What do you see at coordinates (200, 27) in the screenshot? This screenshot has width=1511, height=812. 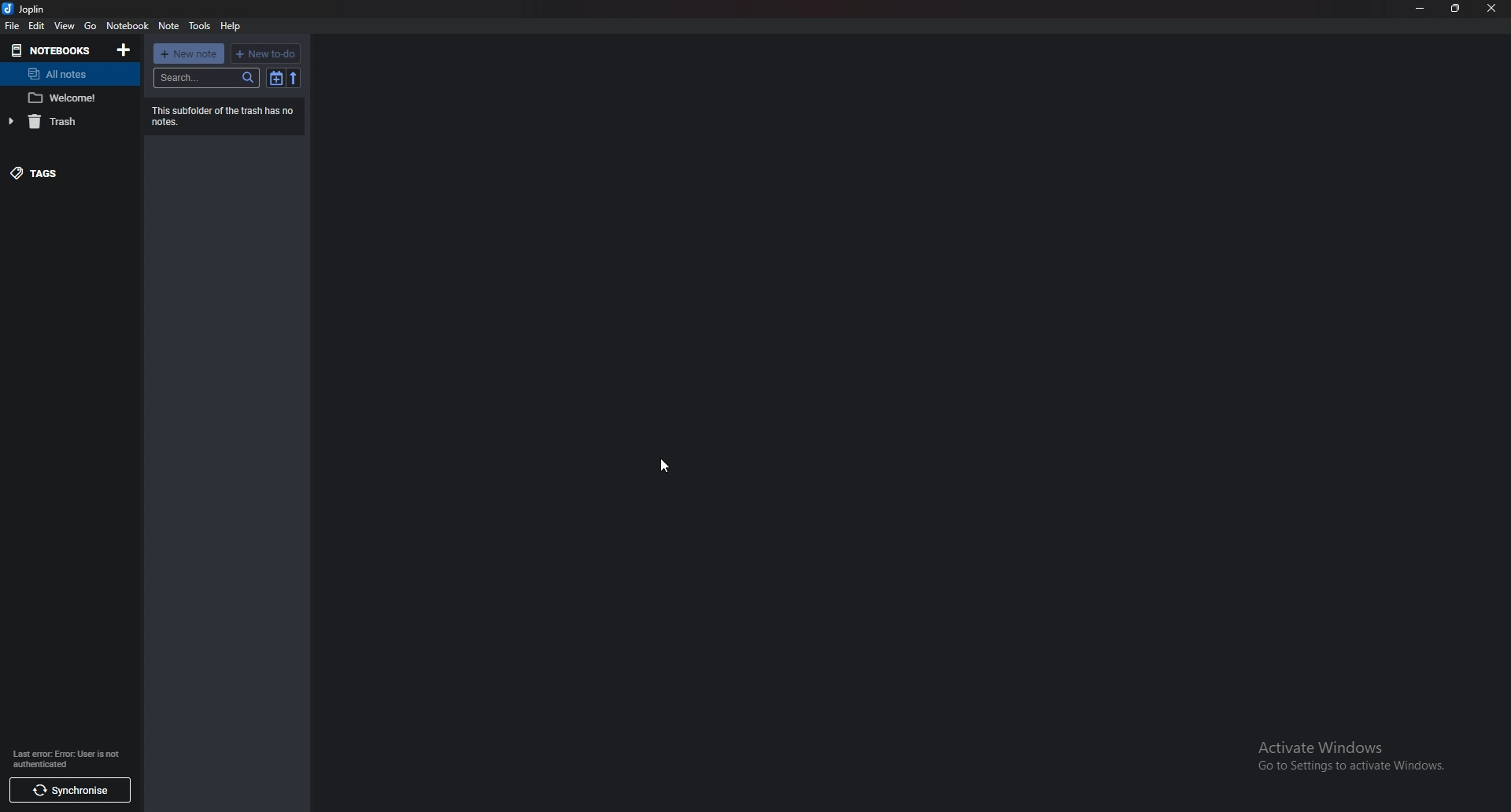 I see `tools` at bounding box center [200, 27].